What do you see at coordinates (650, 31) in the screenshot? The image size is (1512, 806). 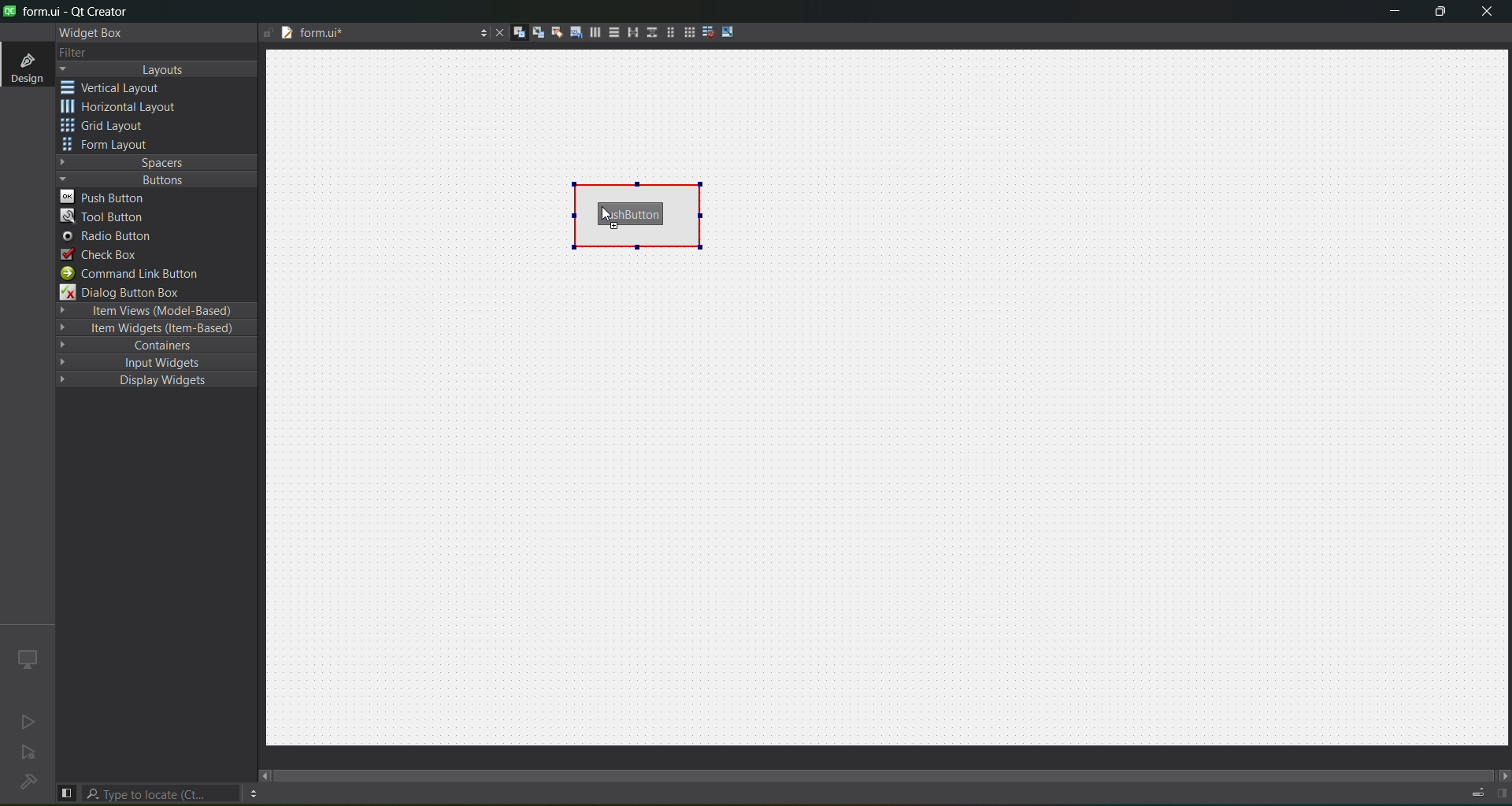 I see `vertical splitter` at bounding box center [650, 31].